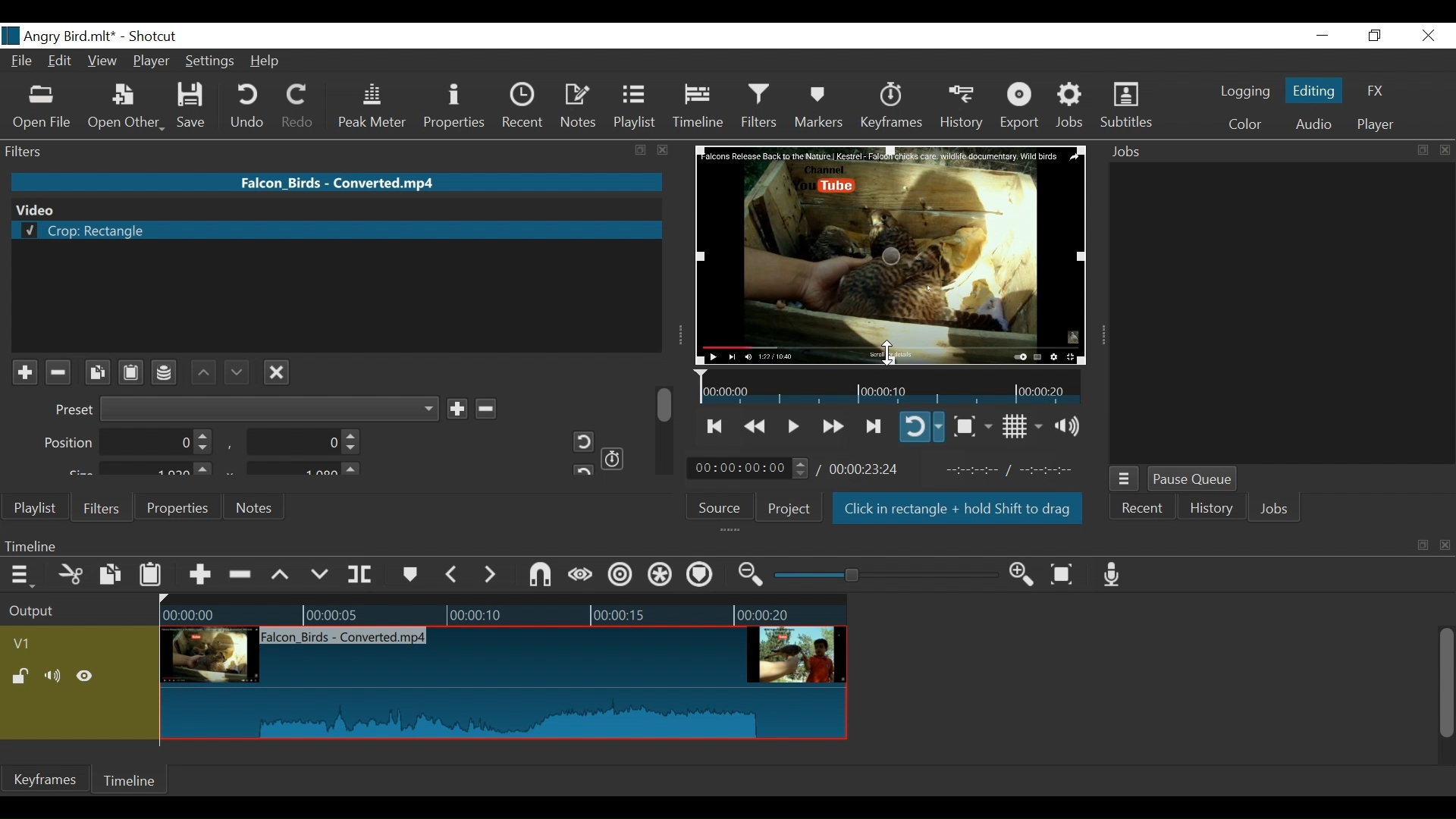  I want to click on Mute, so click(55, 677).